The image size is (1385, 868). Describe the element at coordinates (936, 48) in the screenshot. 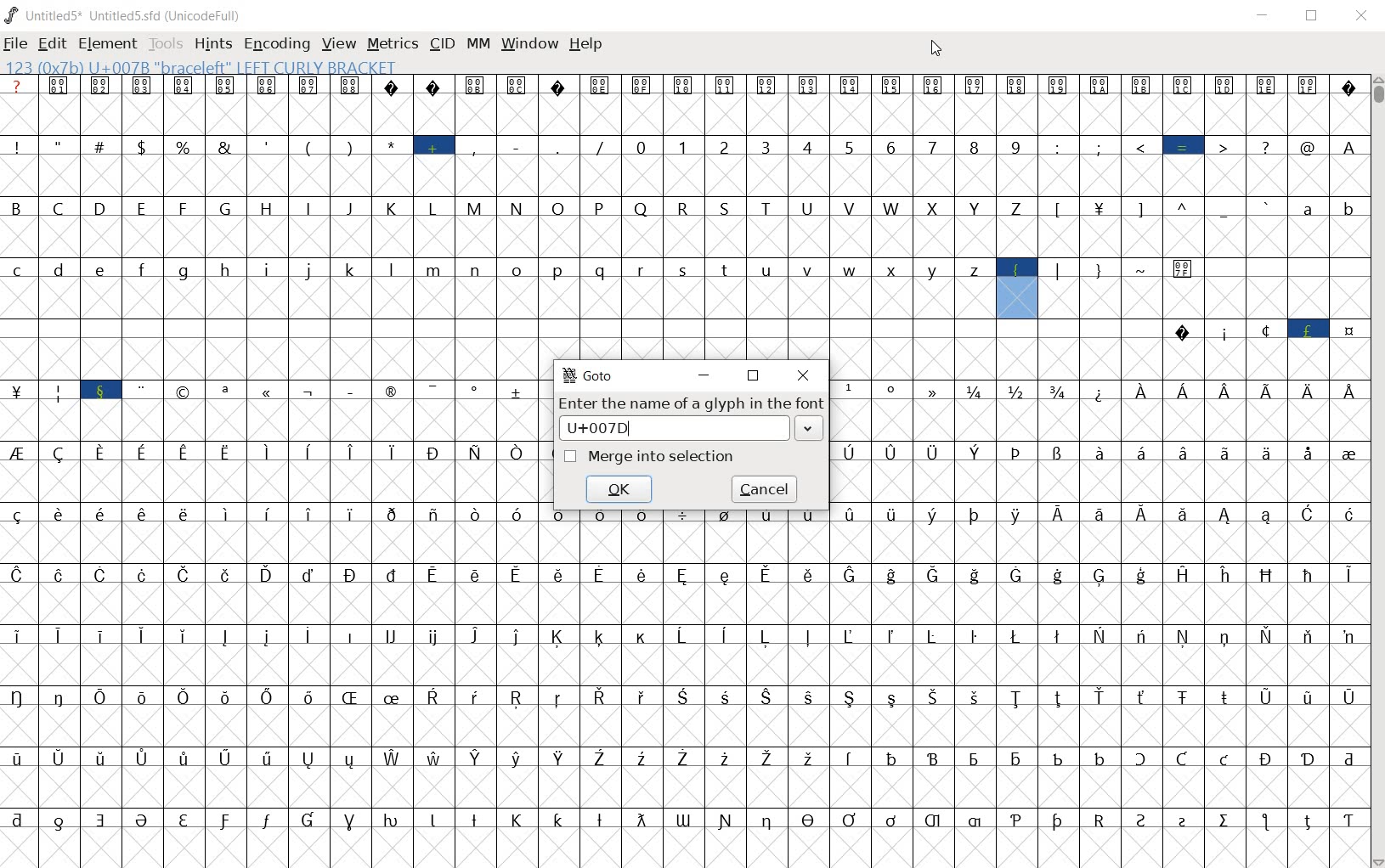

I see `CURSOR` at that location.